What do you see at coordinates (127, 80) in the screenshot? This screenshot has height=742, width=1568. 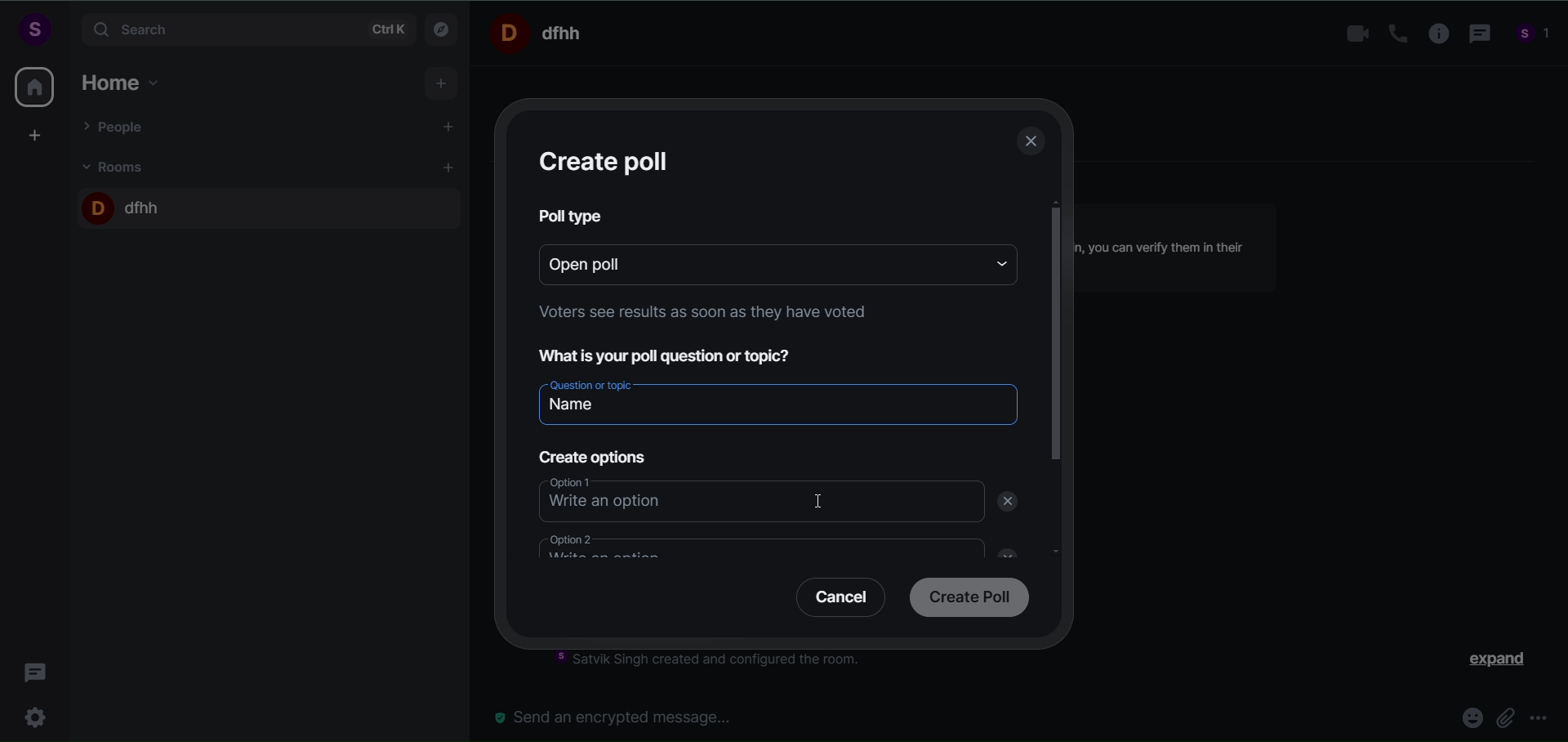 I see `home option` at bounding box center [127, 80].